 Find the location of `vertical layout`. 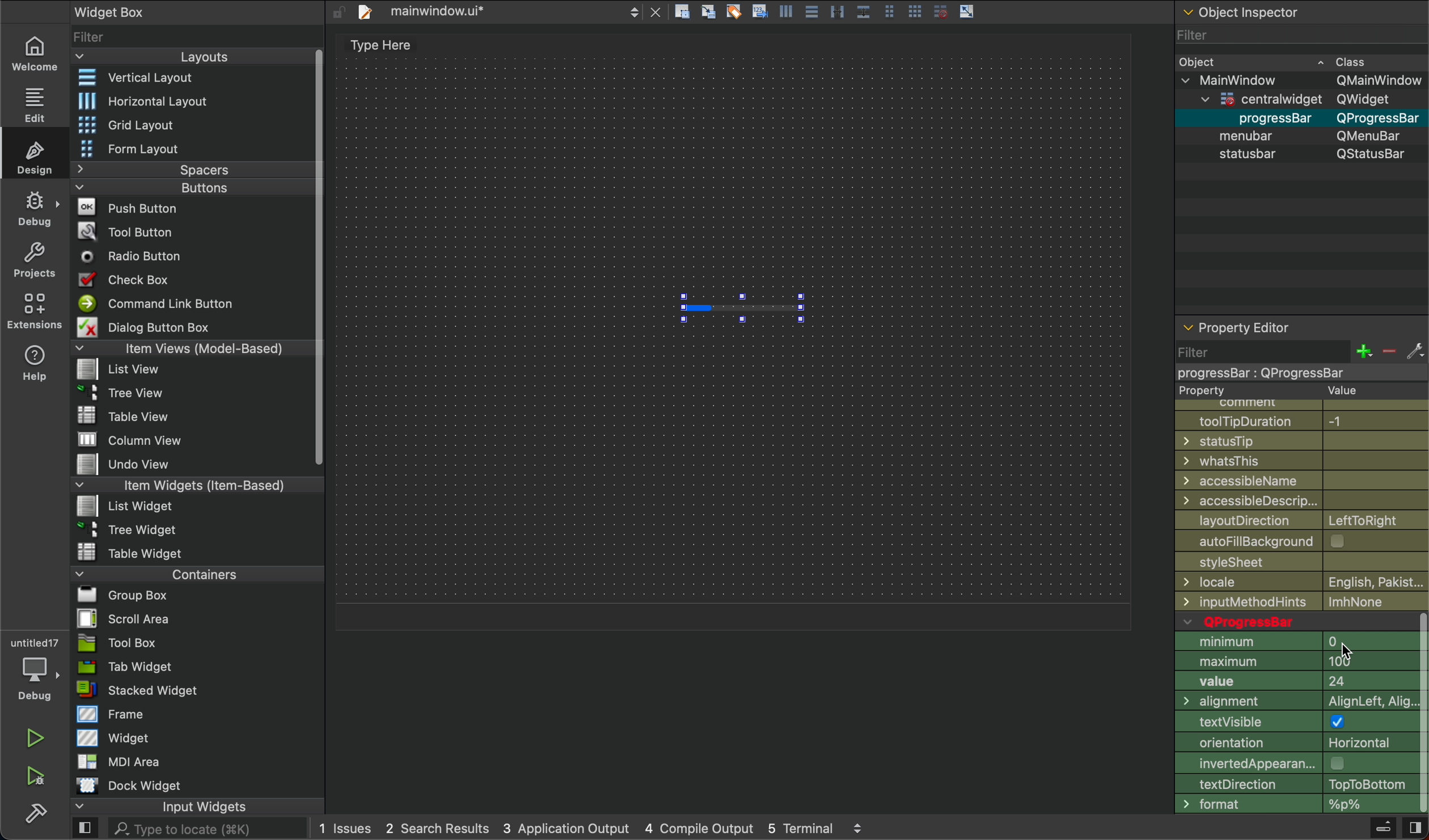

vertical layout is located at coordinates (188, 79).